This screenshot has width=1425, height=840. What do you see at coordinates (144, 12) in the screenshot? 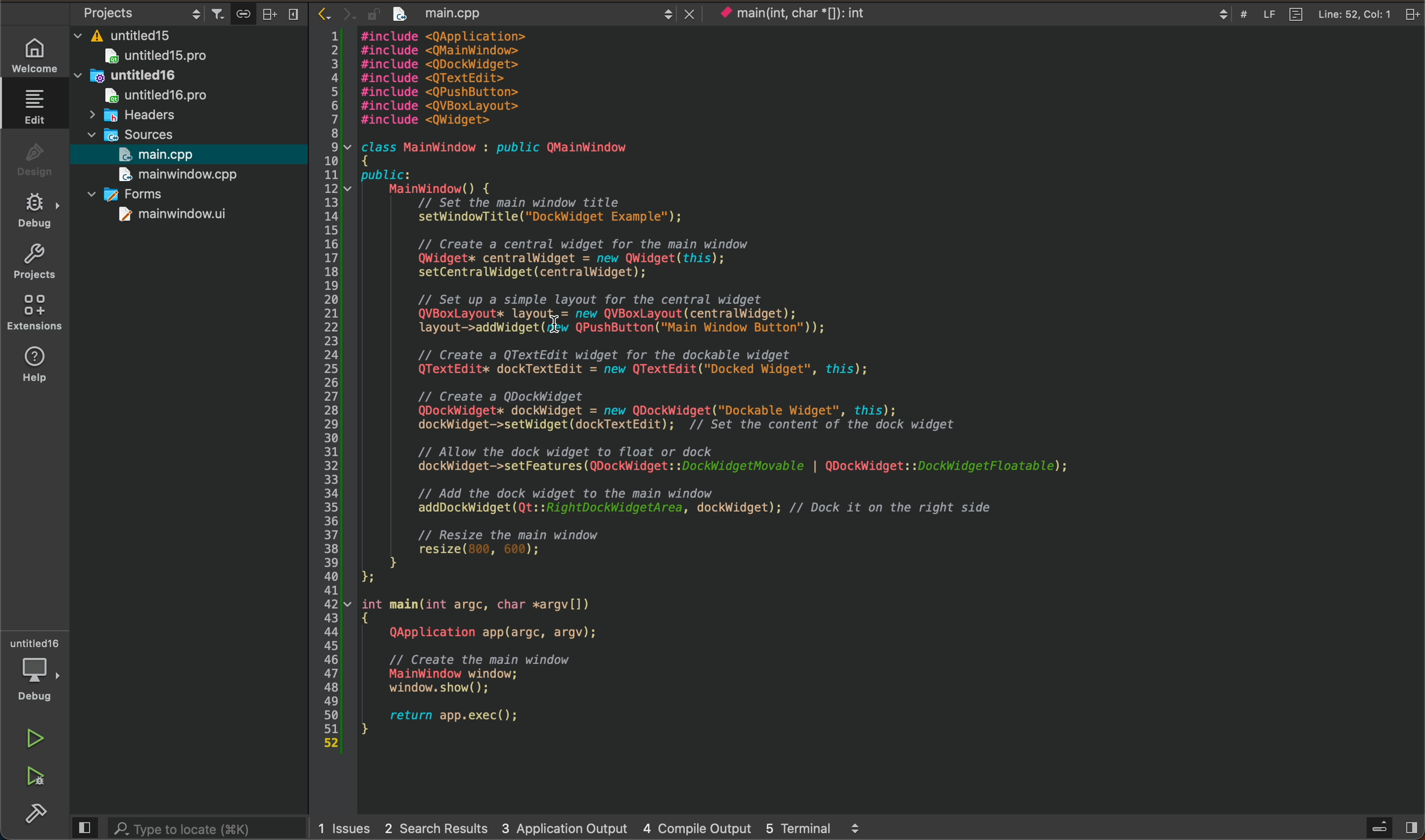
I see `object settings` at bounding box center [144, 12].